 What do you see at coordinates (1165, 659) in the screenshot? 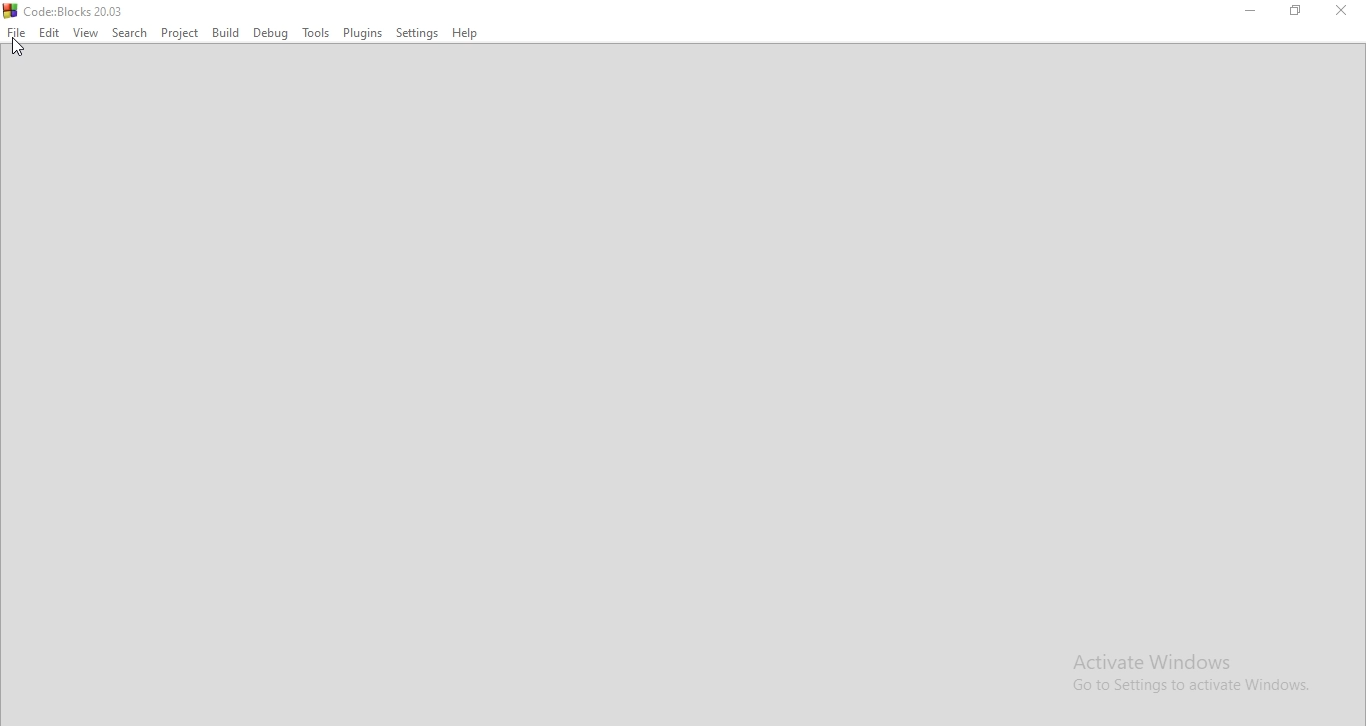
I see `Activate Windows` at bounding box center [1165, 659].